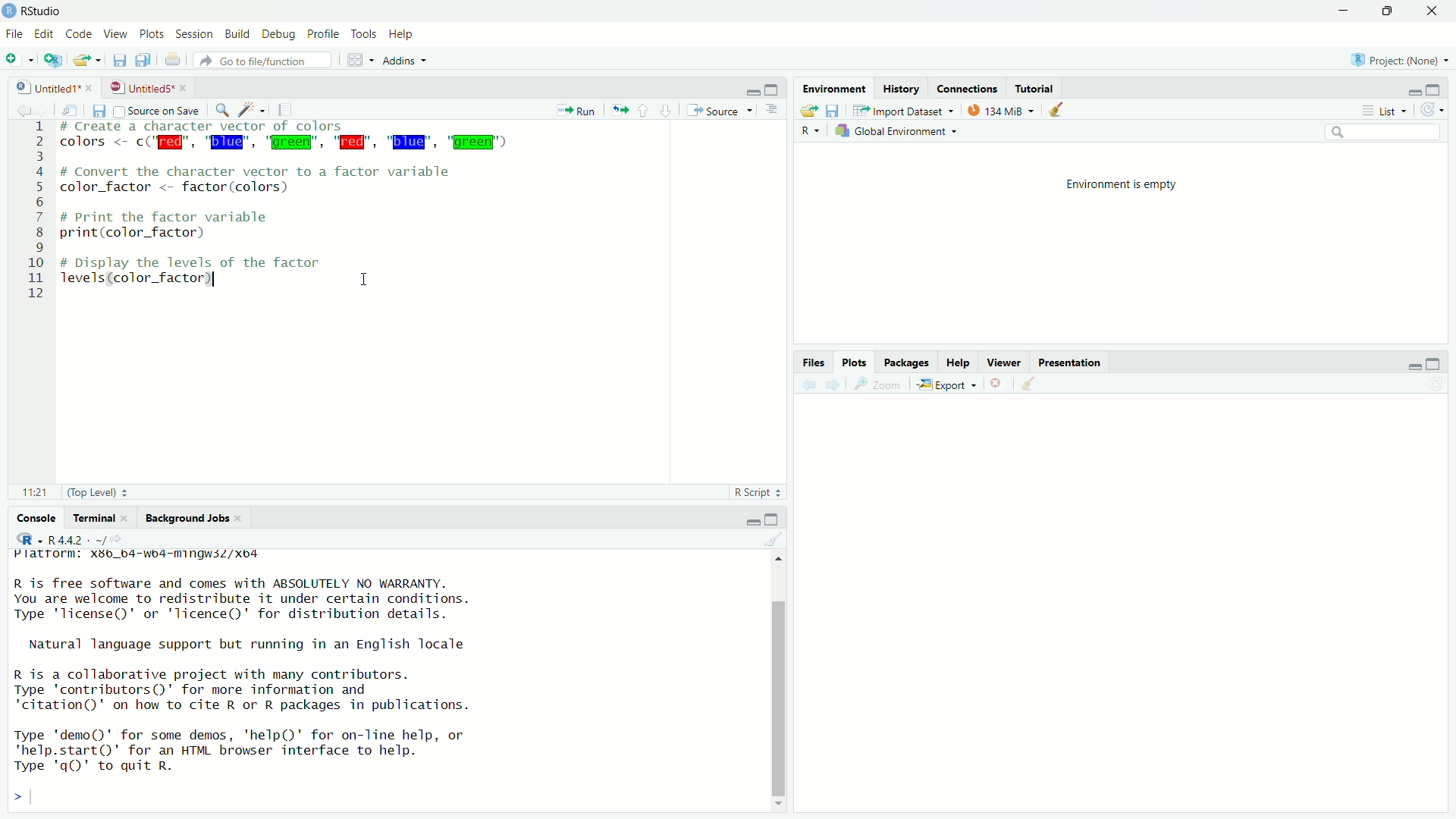 This screenshot has height=819, width=1456. What do you see at coordinates (782, 808) in the screenshot?
I see `move down` at bounding box center [782, 808].